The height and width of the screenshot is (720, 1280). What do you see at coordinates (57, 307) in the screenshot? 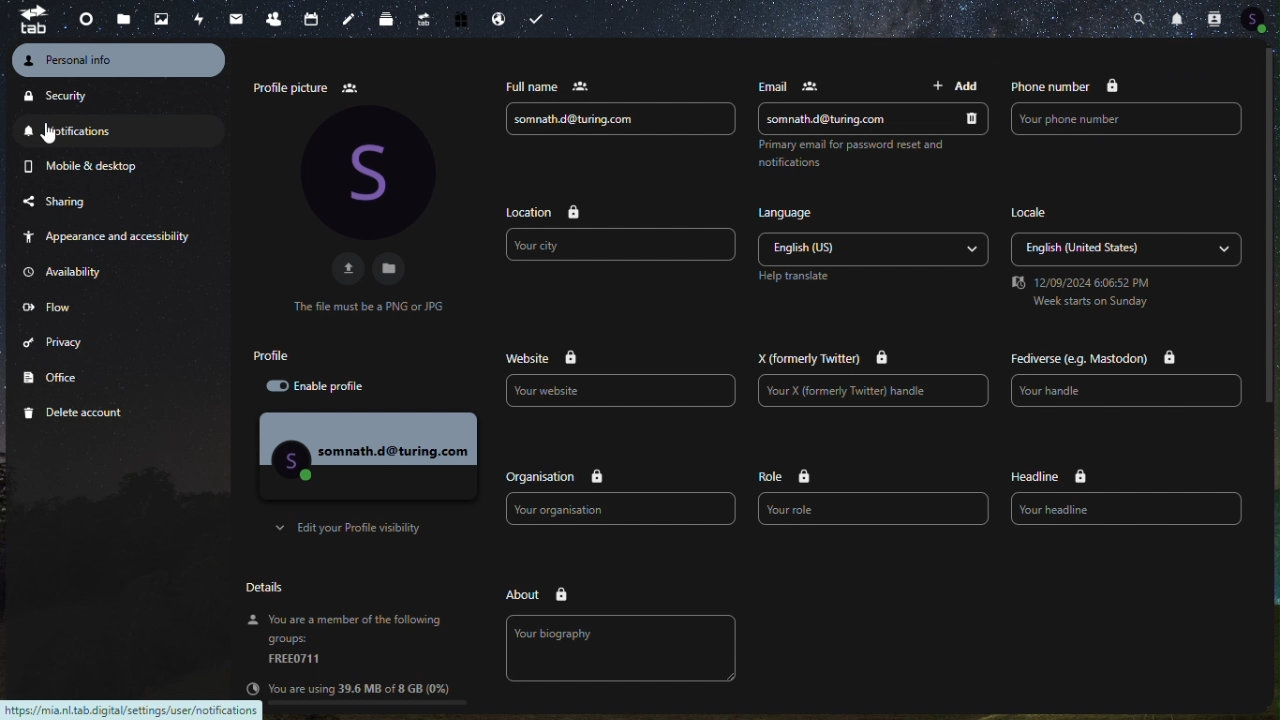
I see `flow` at bounding box center [57, 307].